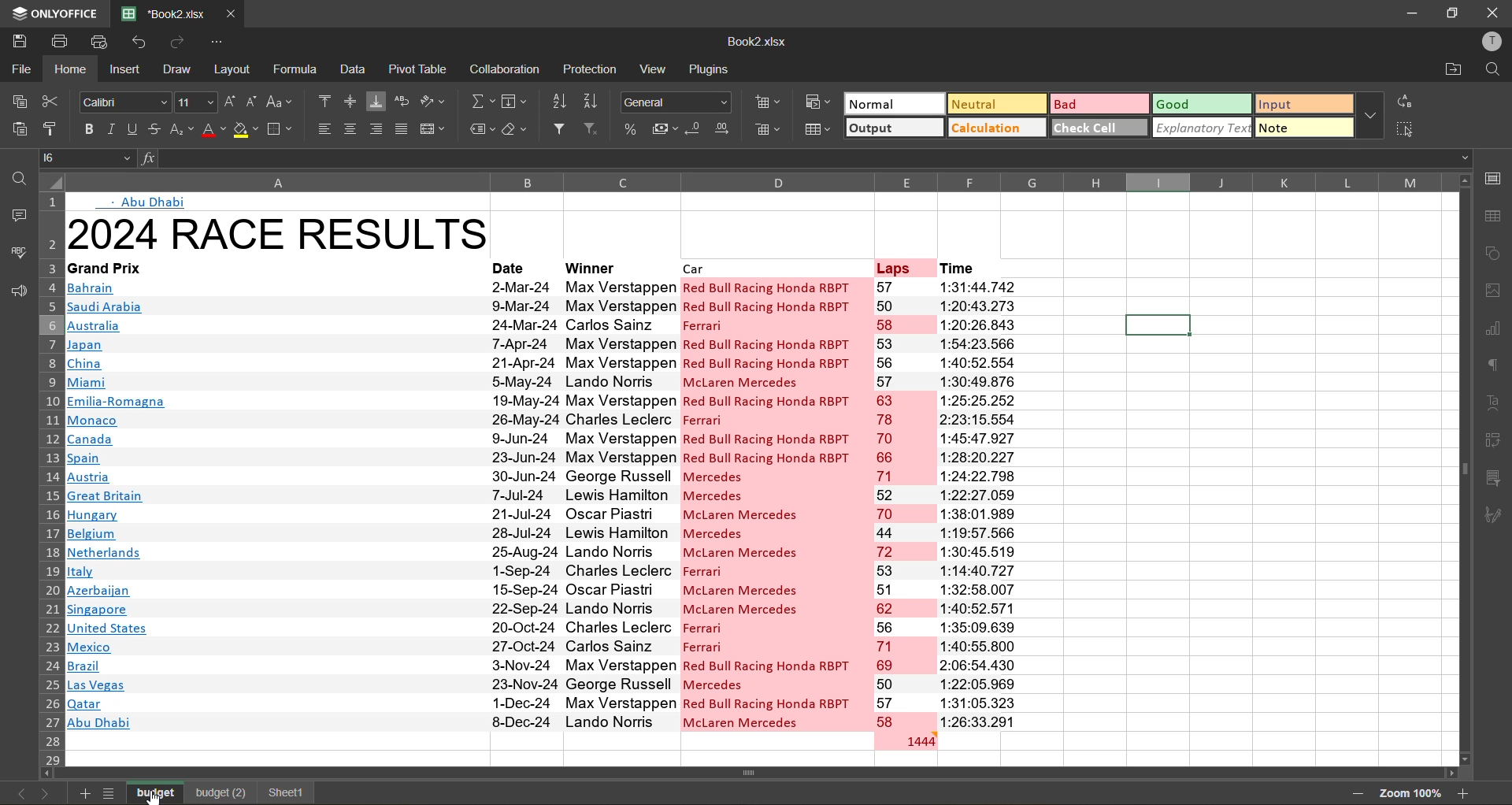 The height and width of the screenshot is (805, 1512). Describe the element at coordinates (1496, 438) in the screenshot. I see `pivot table` at that location.